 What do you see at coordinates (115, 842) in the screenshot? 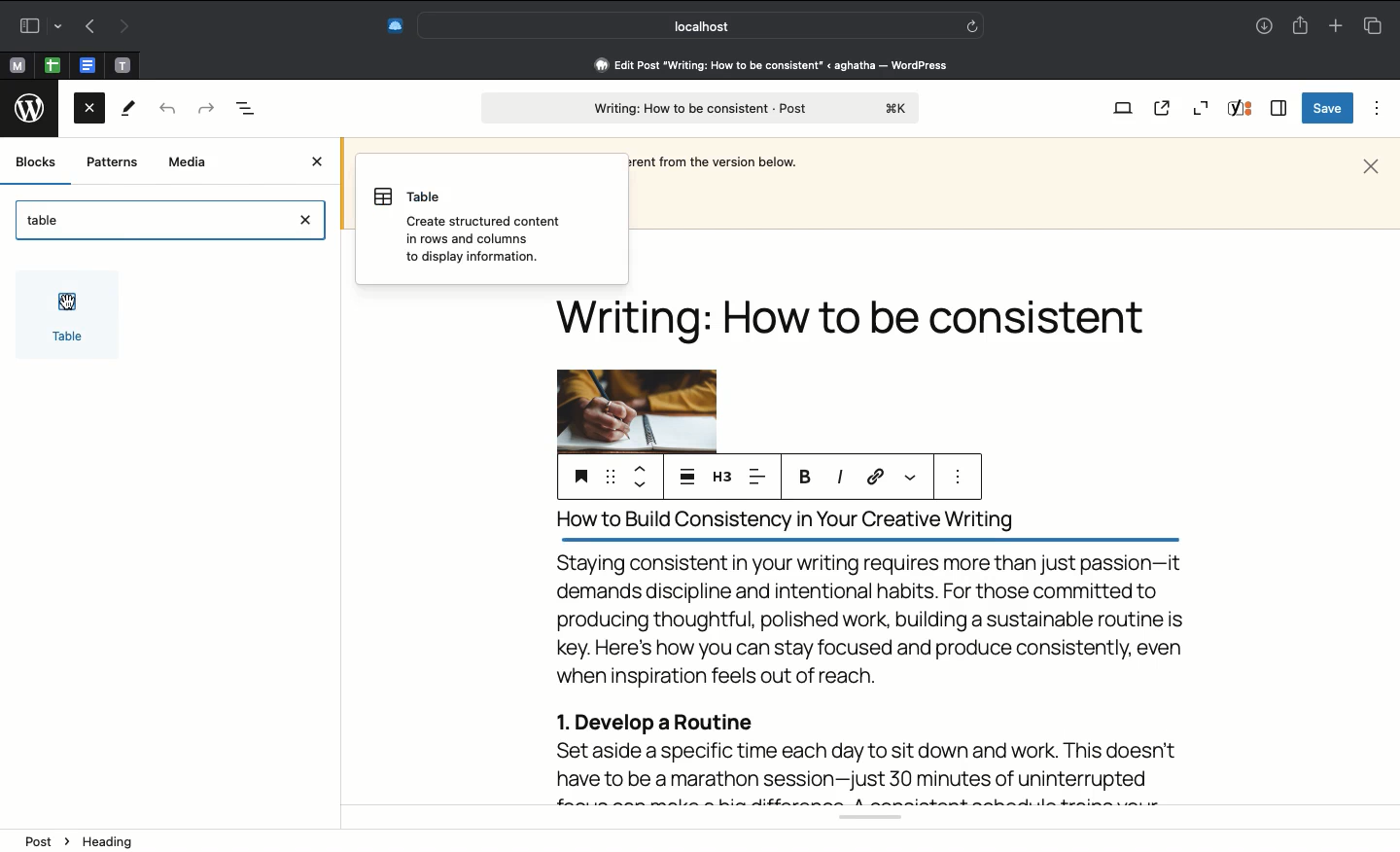
I see `heading` at bounding box center [115, 842].